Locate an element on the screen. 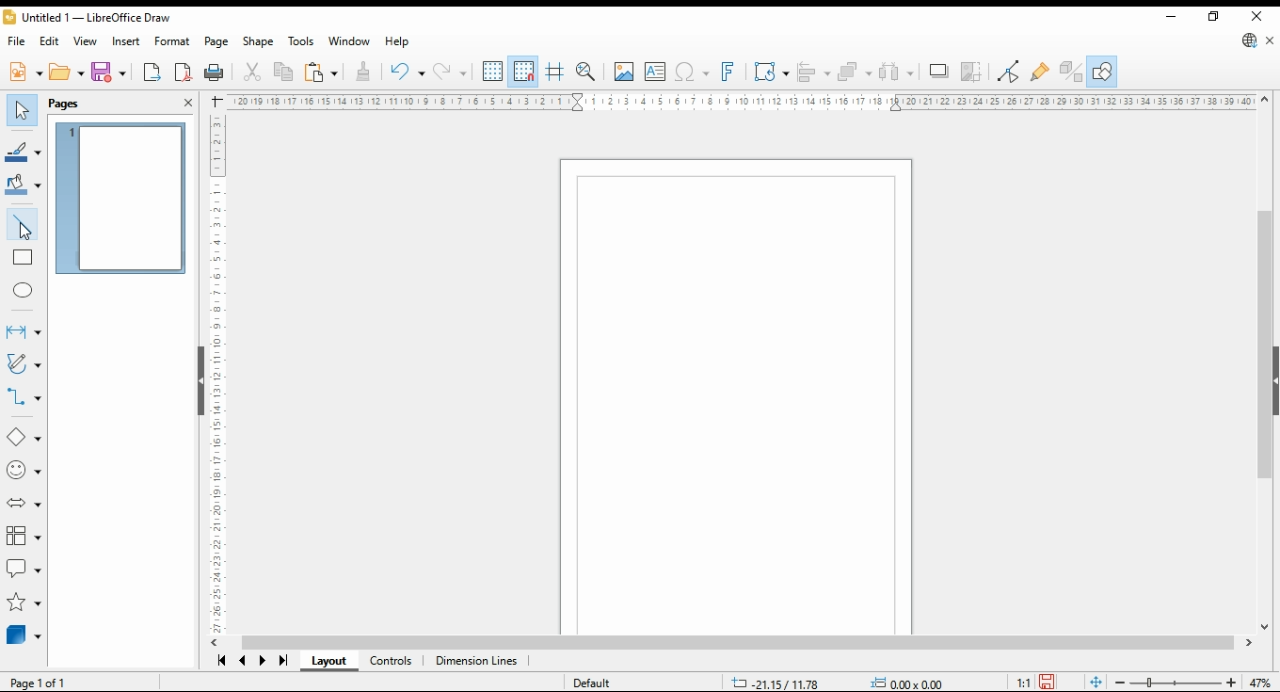 The height and width of the screenshot is (692, 1280). close window is located at coordinates (1254, 17).